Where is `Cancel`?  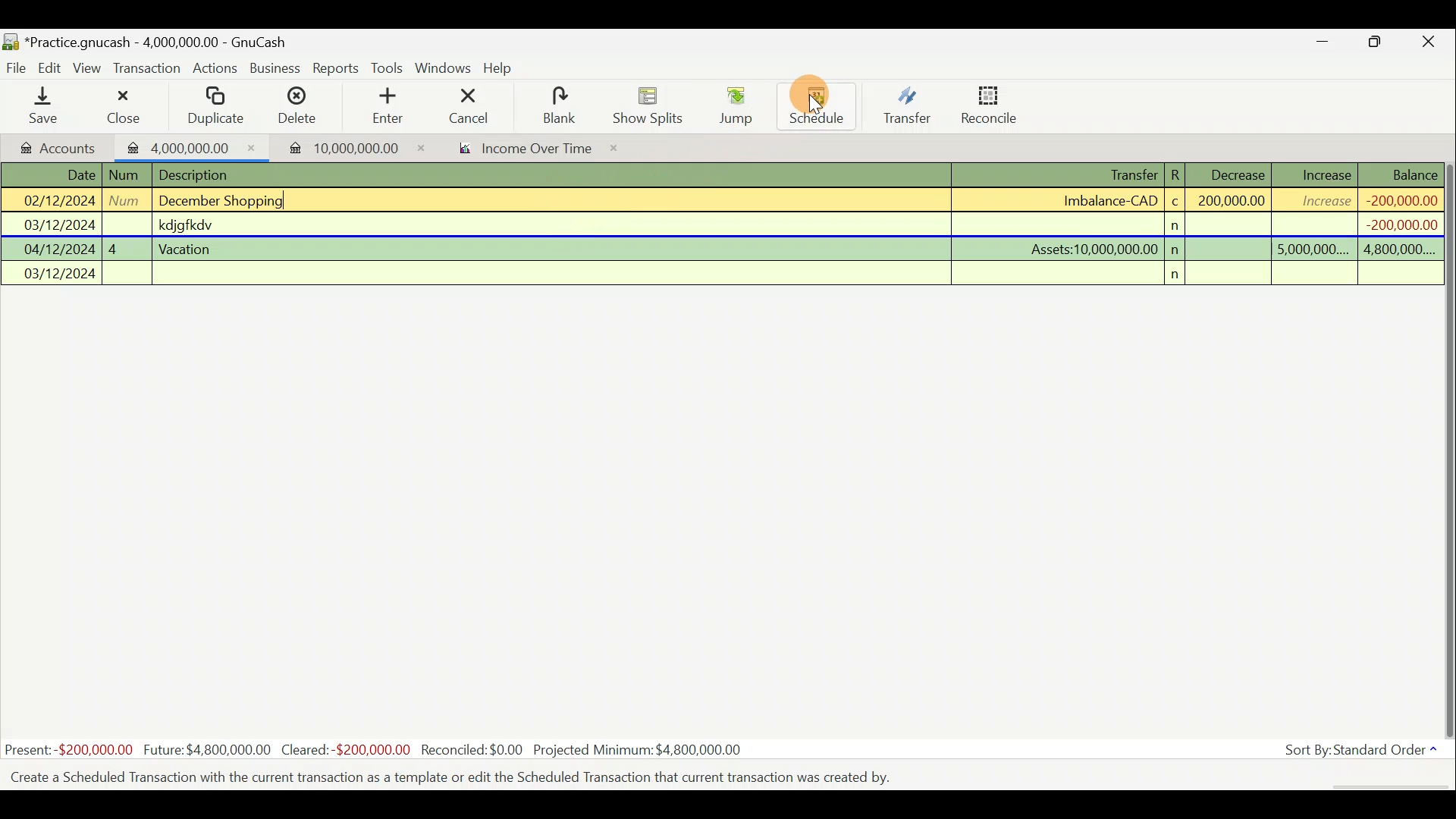 Cancel is located at coordinates (469, 105).